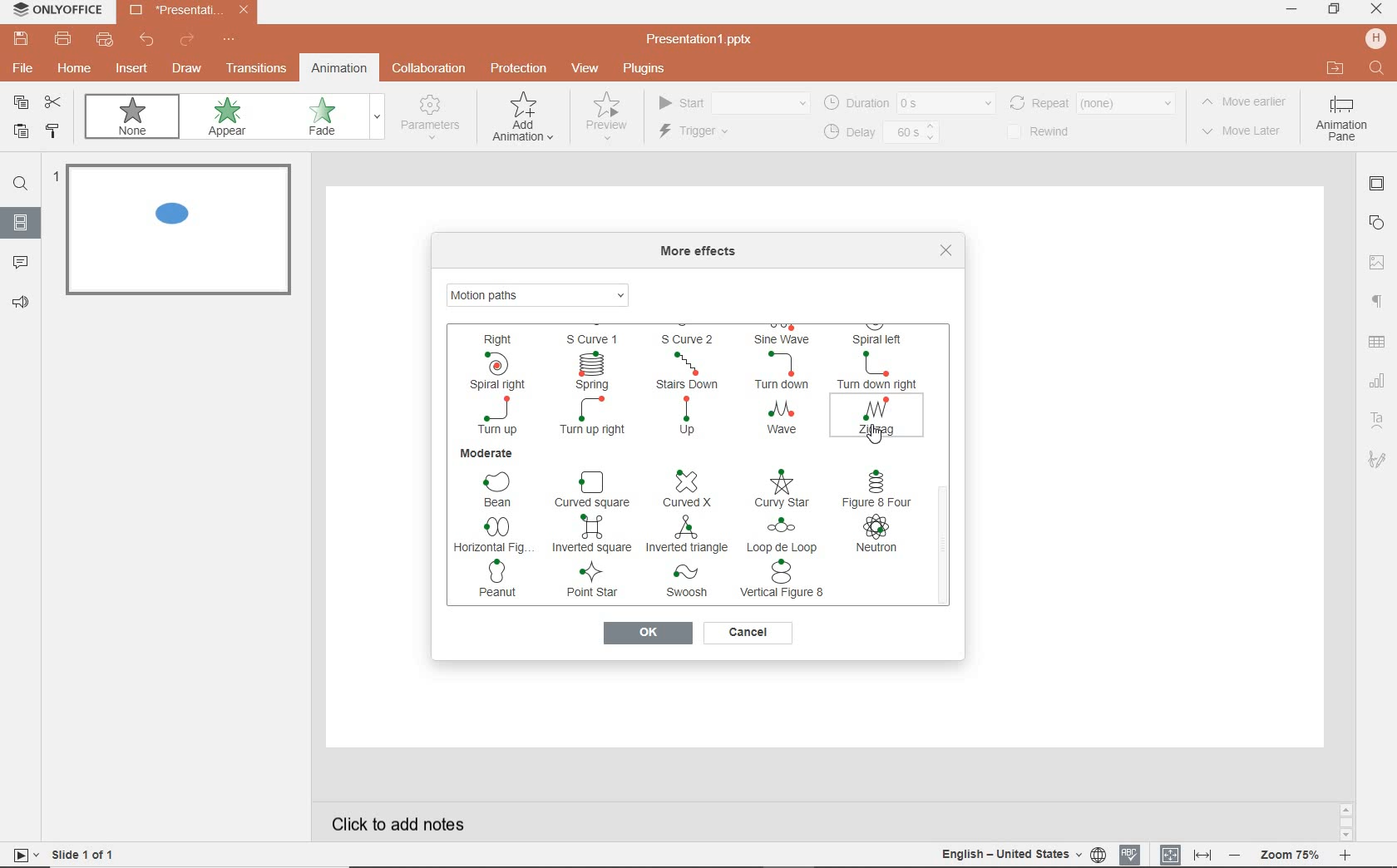  I want to click on OK, so click(646, 634).